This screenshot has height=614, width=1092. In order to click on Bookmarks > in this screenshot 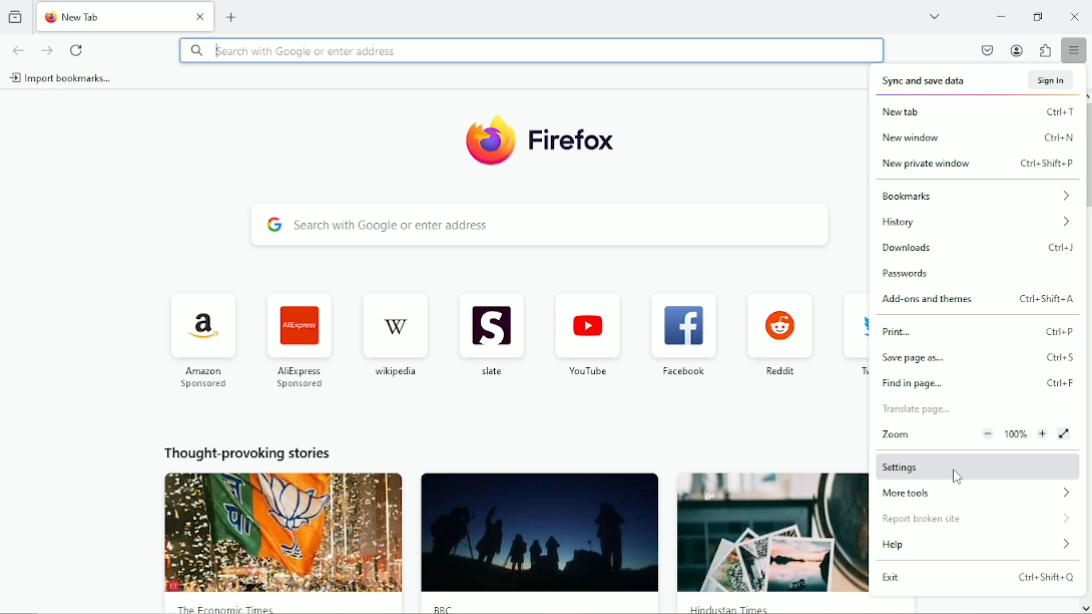, I will do `click(976, 195)`.